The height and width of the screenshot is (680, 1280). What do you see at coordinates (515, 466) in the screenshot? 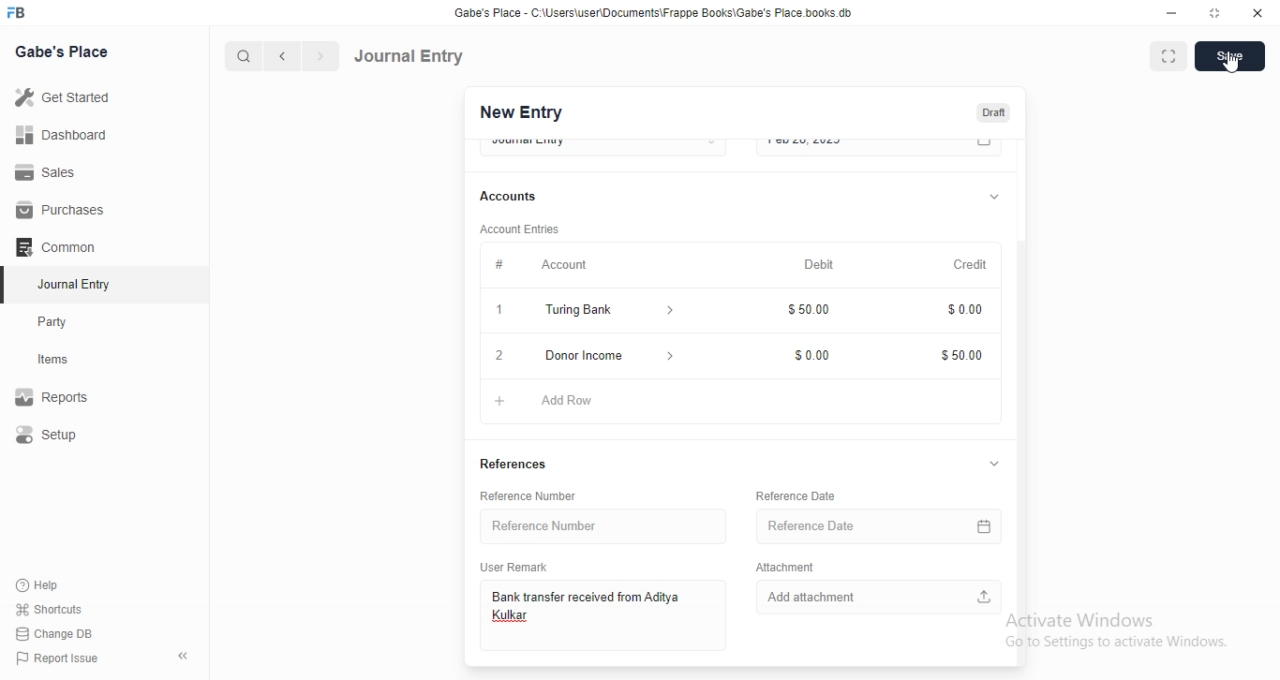
I see `References` at bounding box center [515, 466].